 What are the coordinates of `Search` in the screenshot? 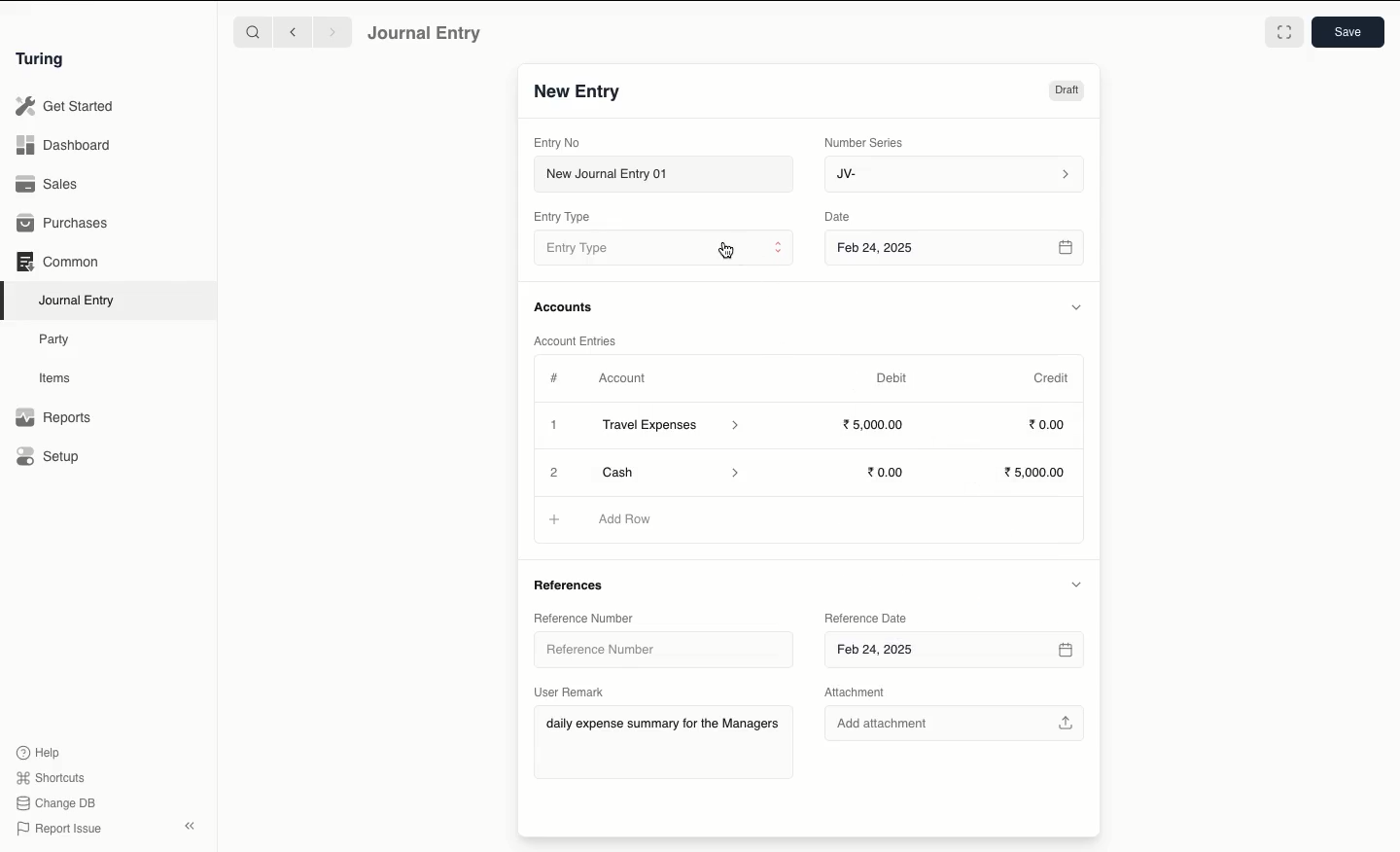 It's located at (252, 31).